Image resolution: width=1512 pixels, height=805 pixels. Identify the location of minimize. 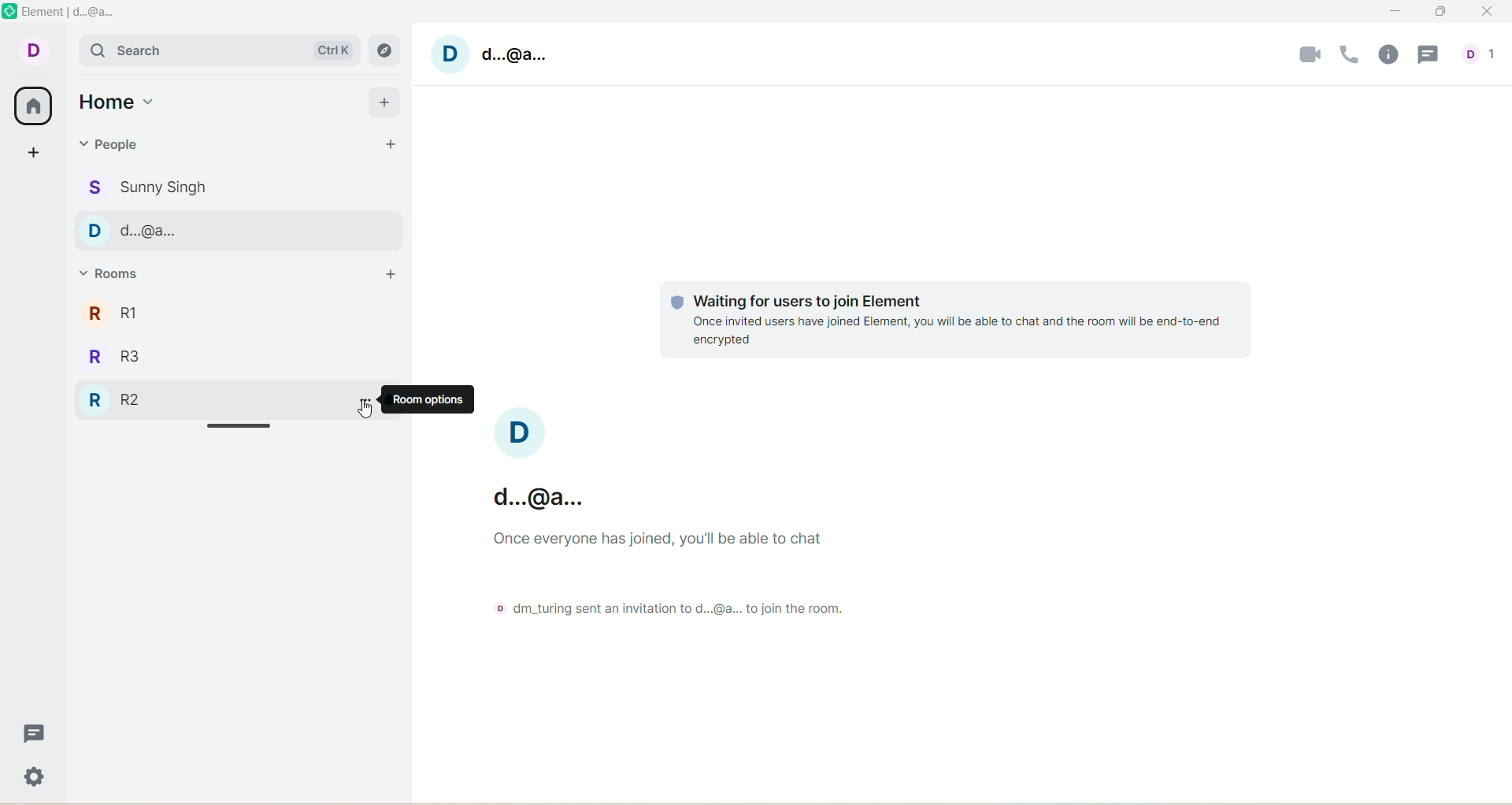
(1398, 12).